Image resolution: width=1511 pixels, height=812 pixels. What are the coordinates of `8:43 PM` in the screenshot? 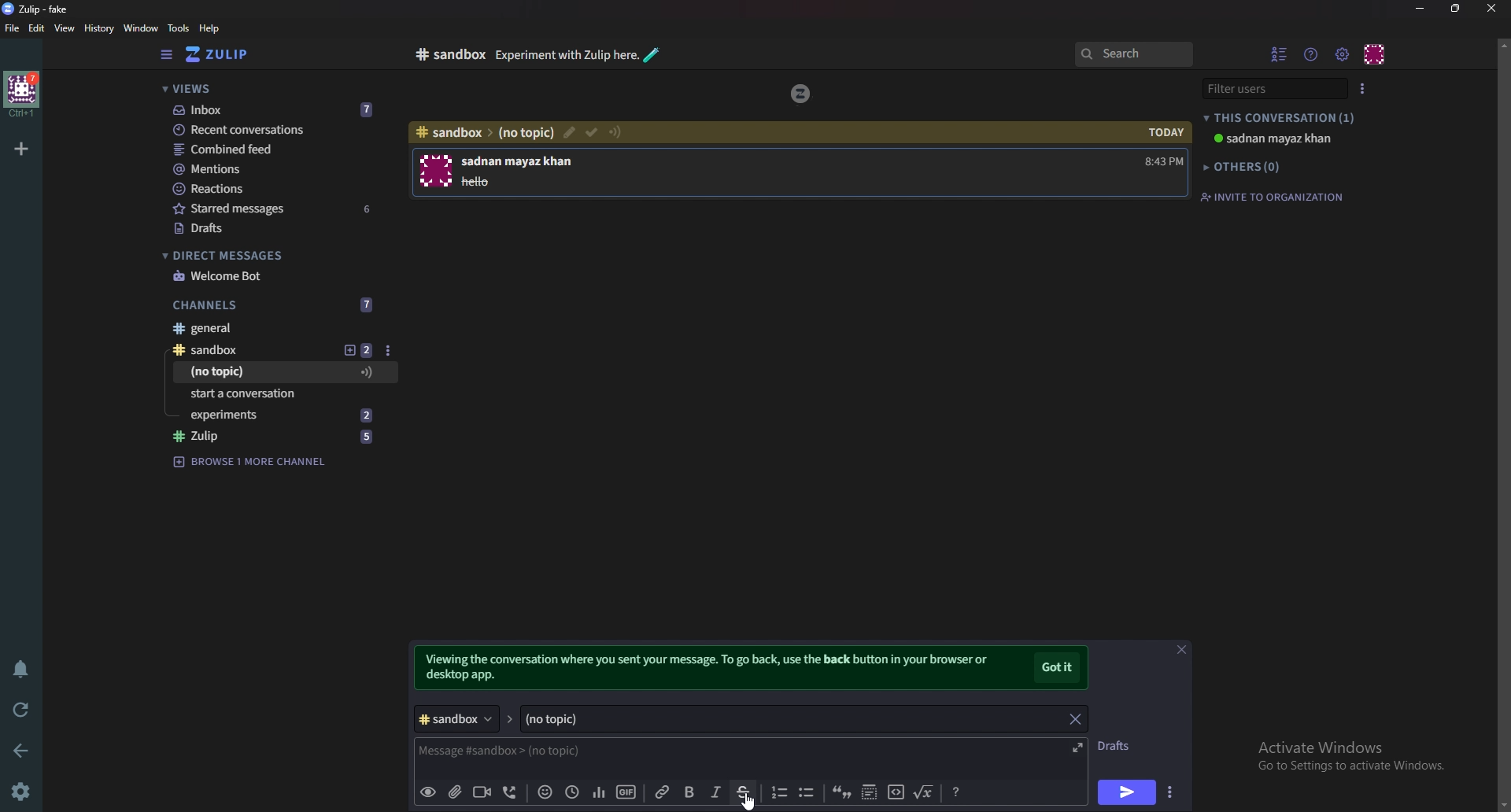 It's located at (1162, 162).